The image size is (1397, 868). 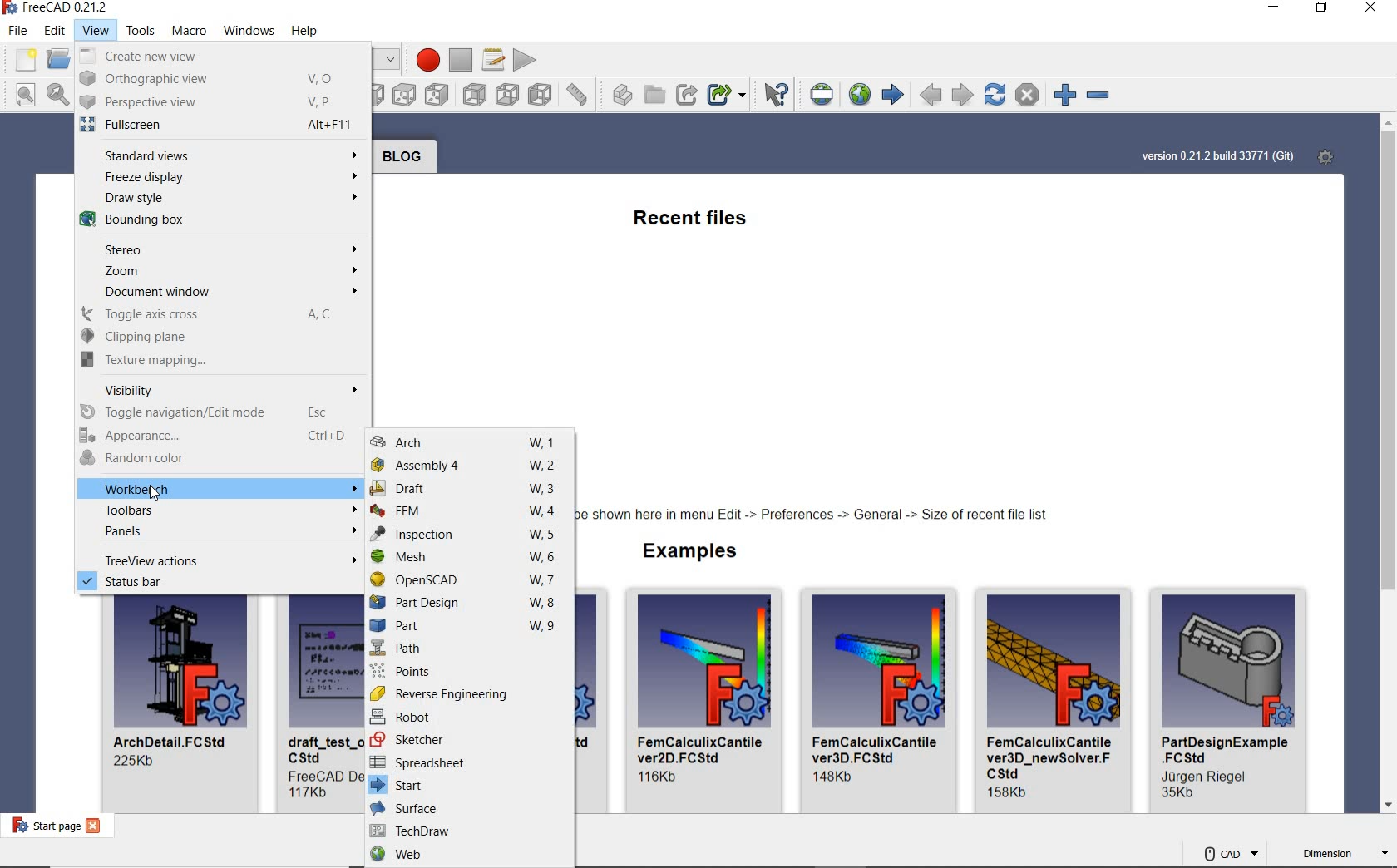 I want to click on freeze display, so click(x=220, y=176).